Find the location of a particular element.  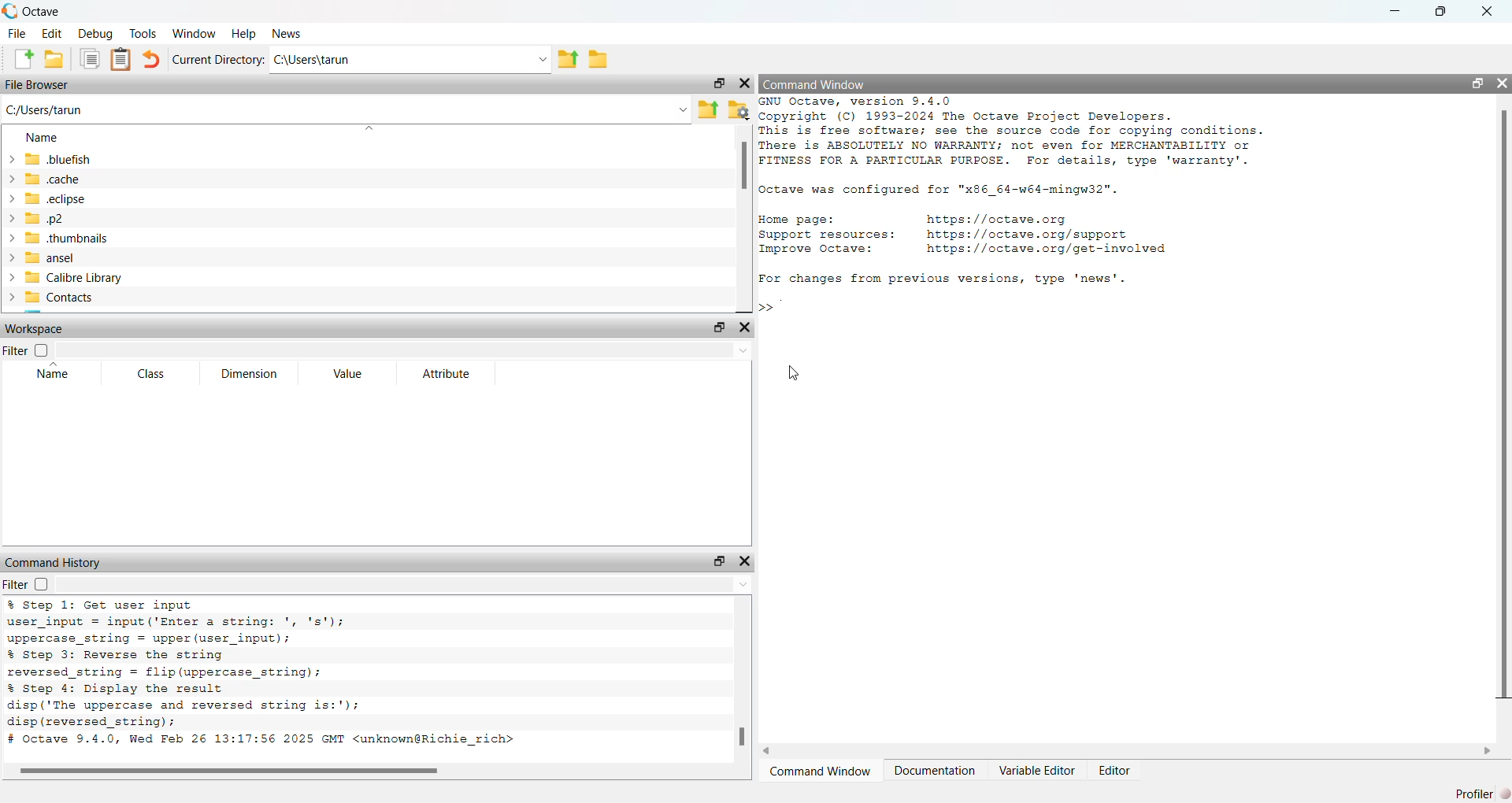

.bluefish is located at coordinates (113, 159).